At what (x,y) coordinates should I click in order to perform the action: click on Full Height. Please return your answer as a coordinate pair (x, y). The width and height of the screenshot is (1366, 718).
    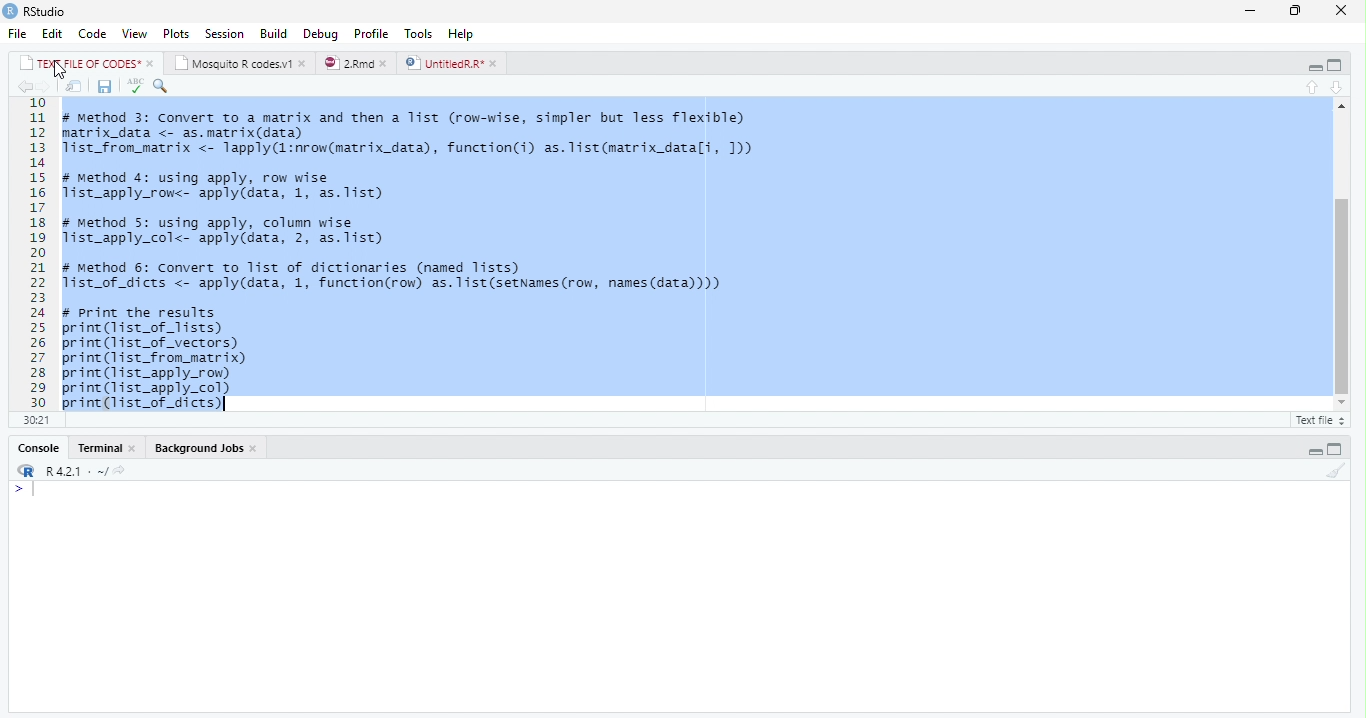
    Looking at the image, I should click on (1336, 65).